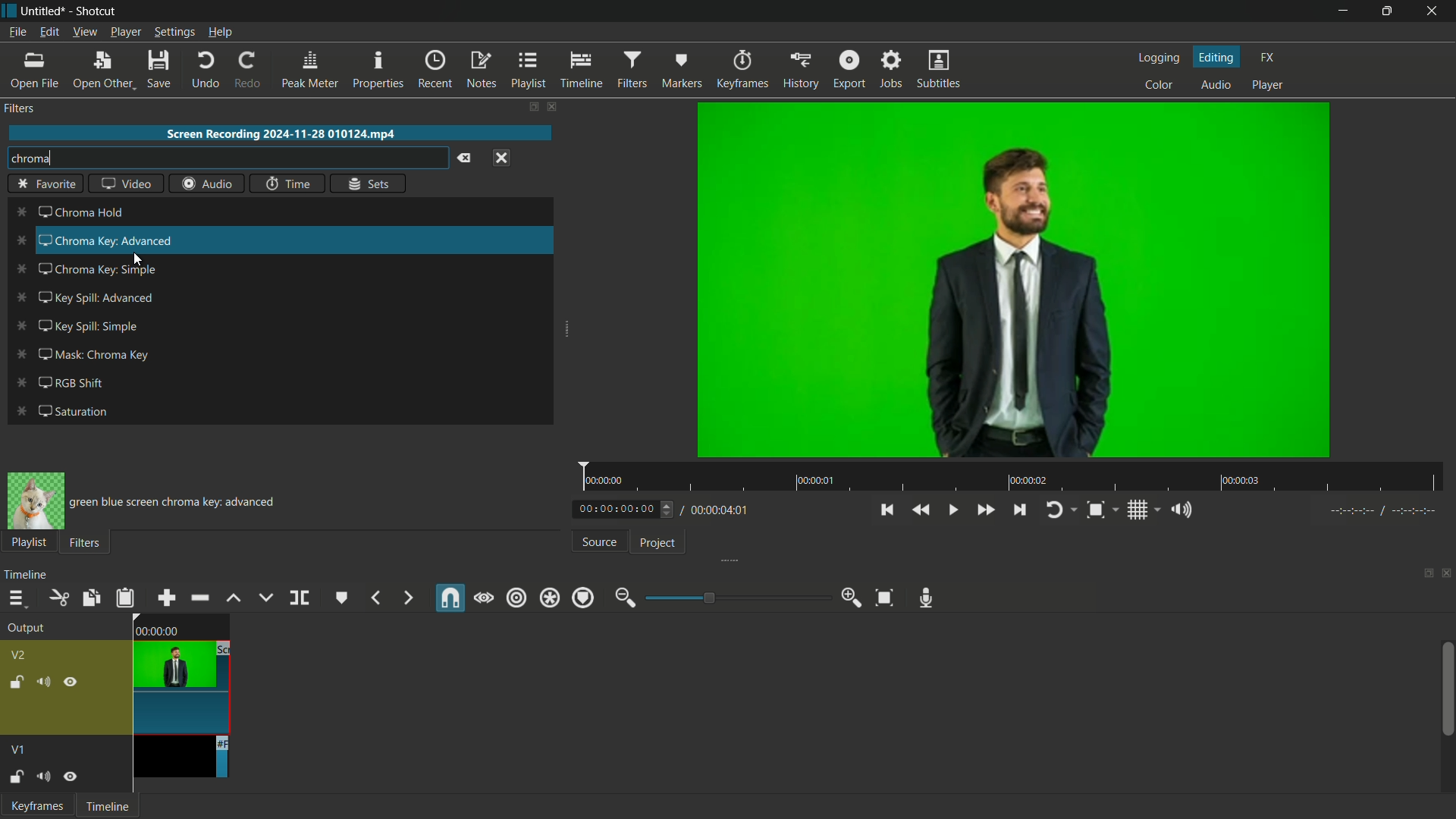  I want to click on skip to the next point, so click(1018, 510).